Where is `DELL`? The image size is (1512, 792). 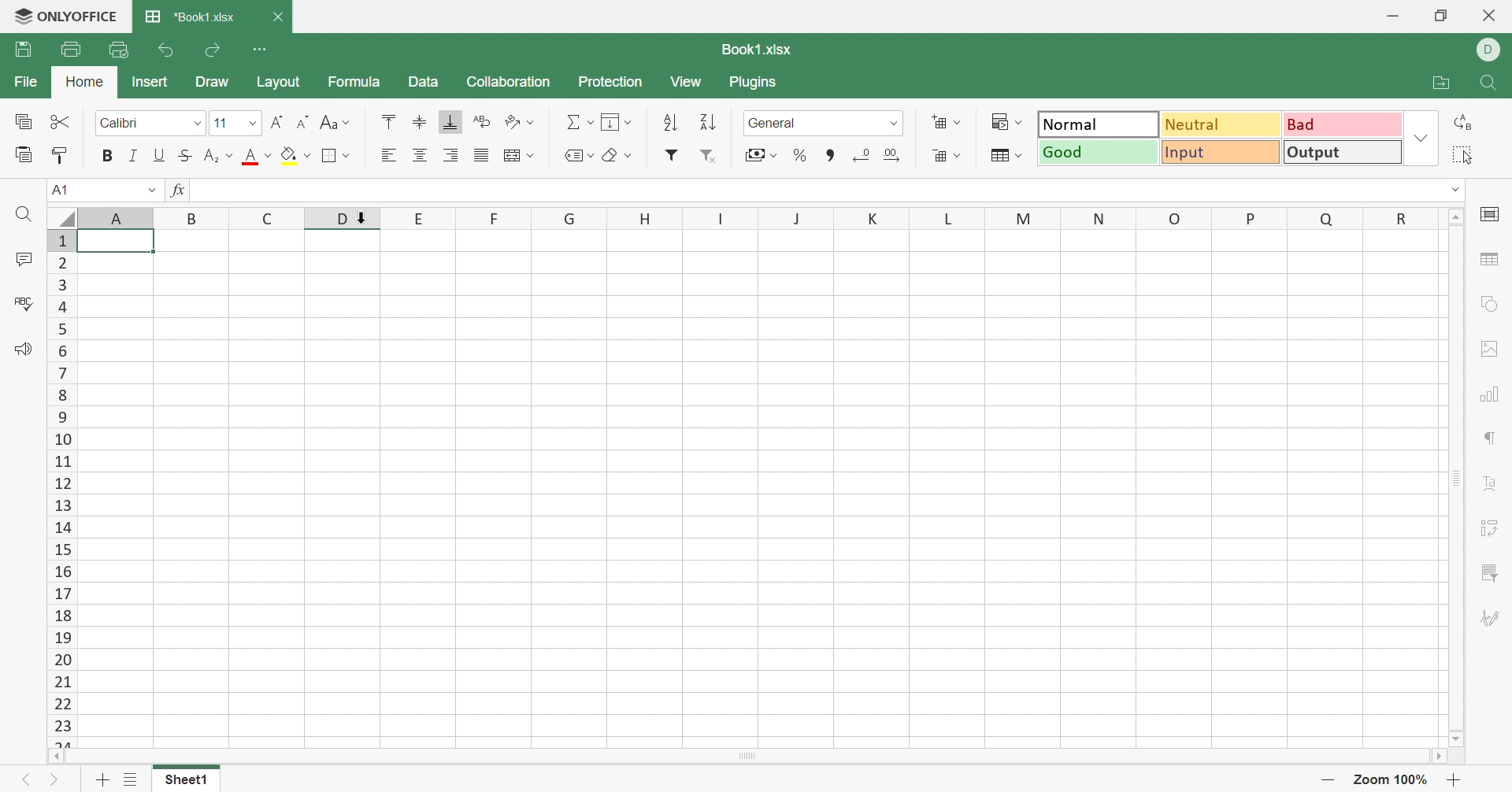 DELL is located at coordinates (1491, 50).